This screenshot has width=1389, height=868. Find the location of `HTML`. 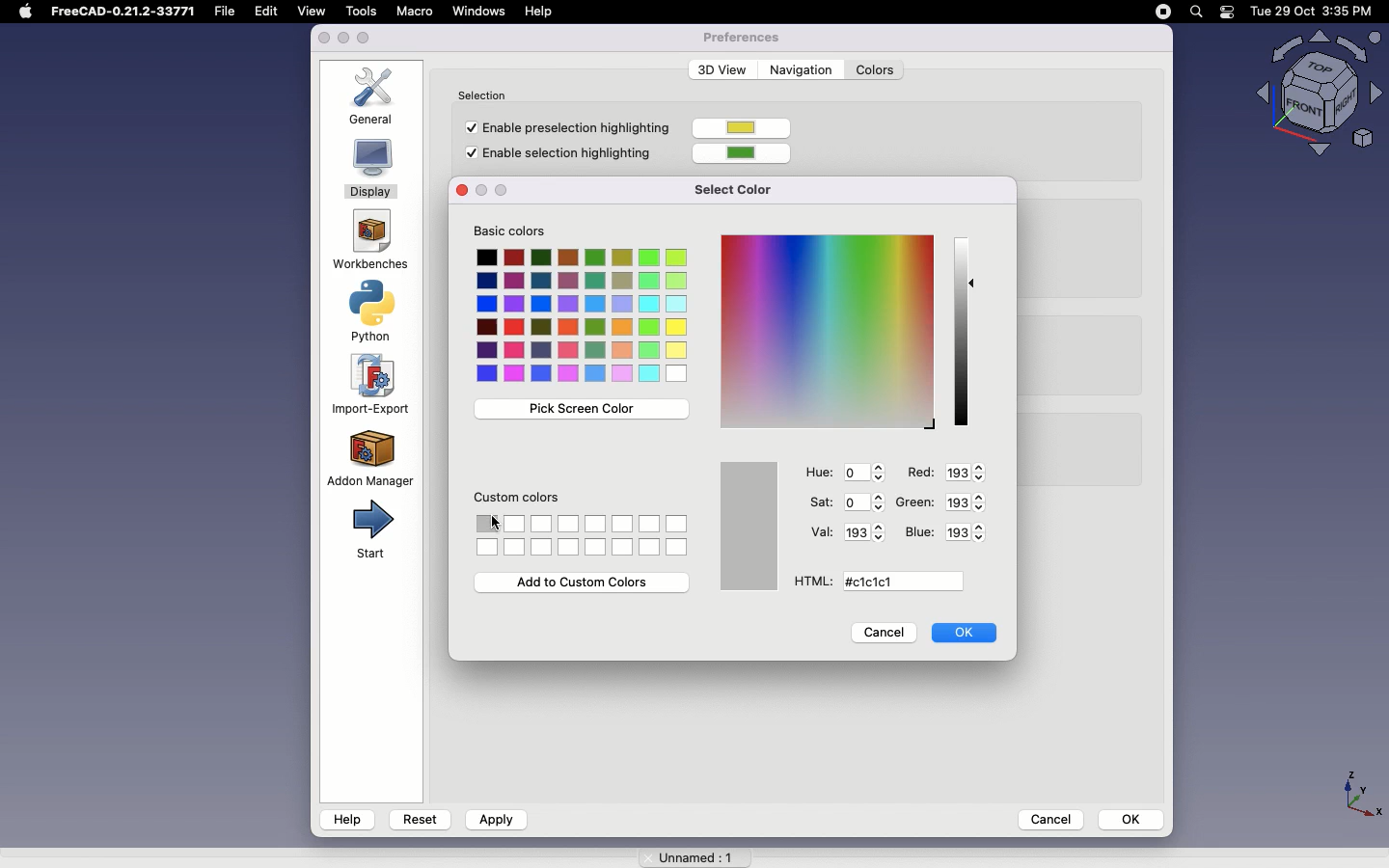

HTML is located at coordinates (809, 582).